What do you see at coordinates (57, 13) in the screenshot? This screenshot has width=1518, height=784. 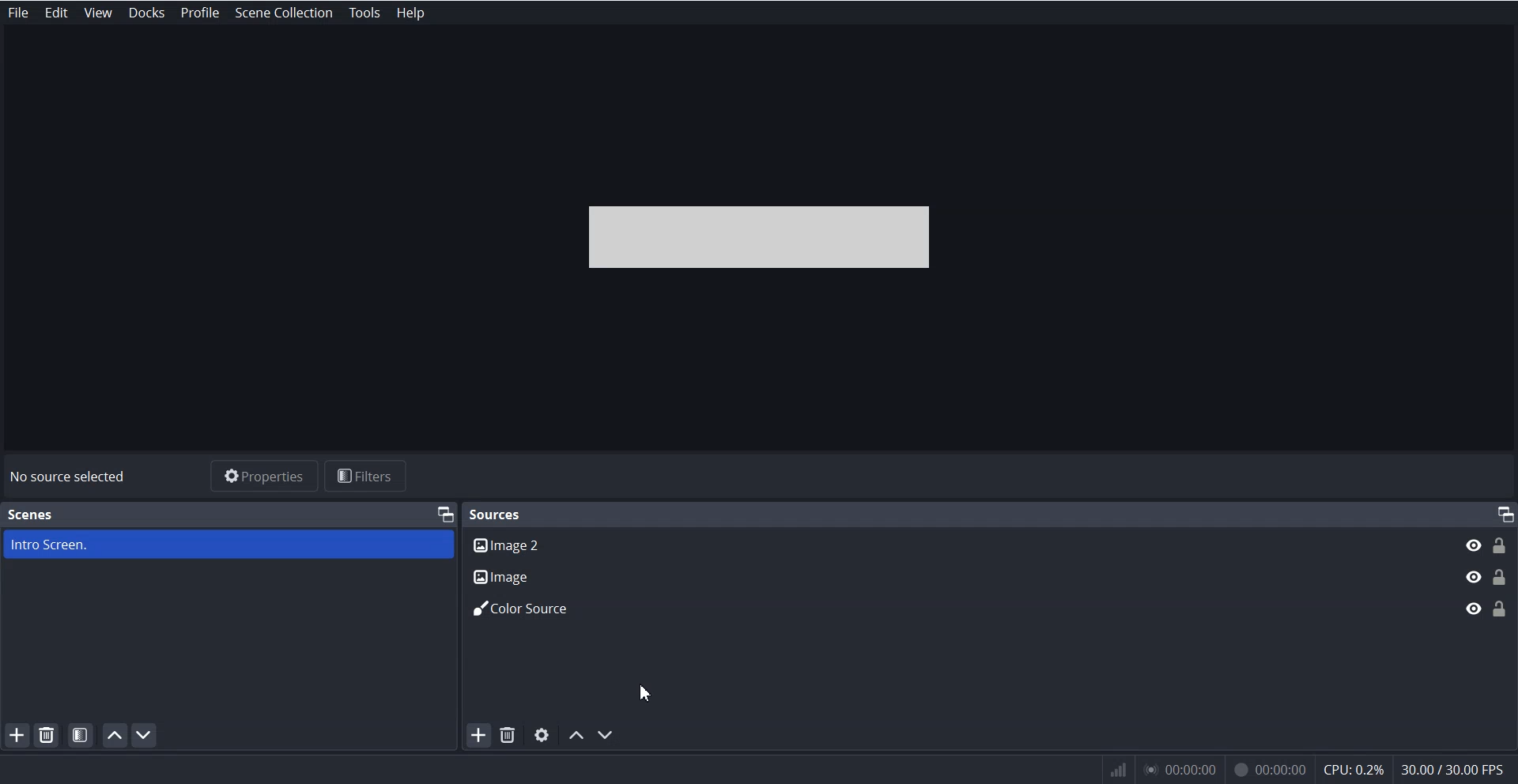 I see `Edit` at bounding box center [57, 13].